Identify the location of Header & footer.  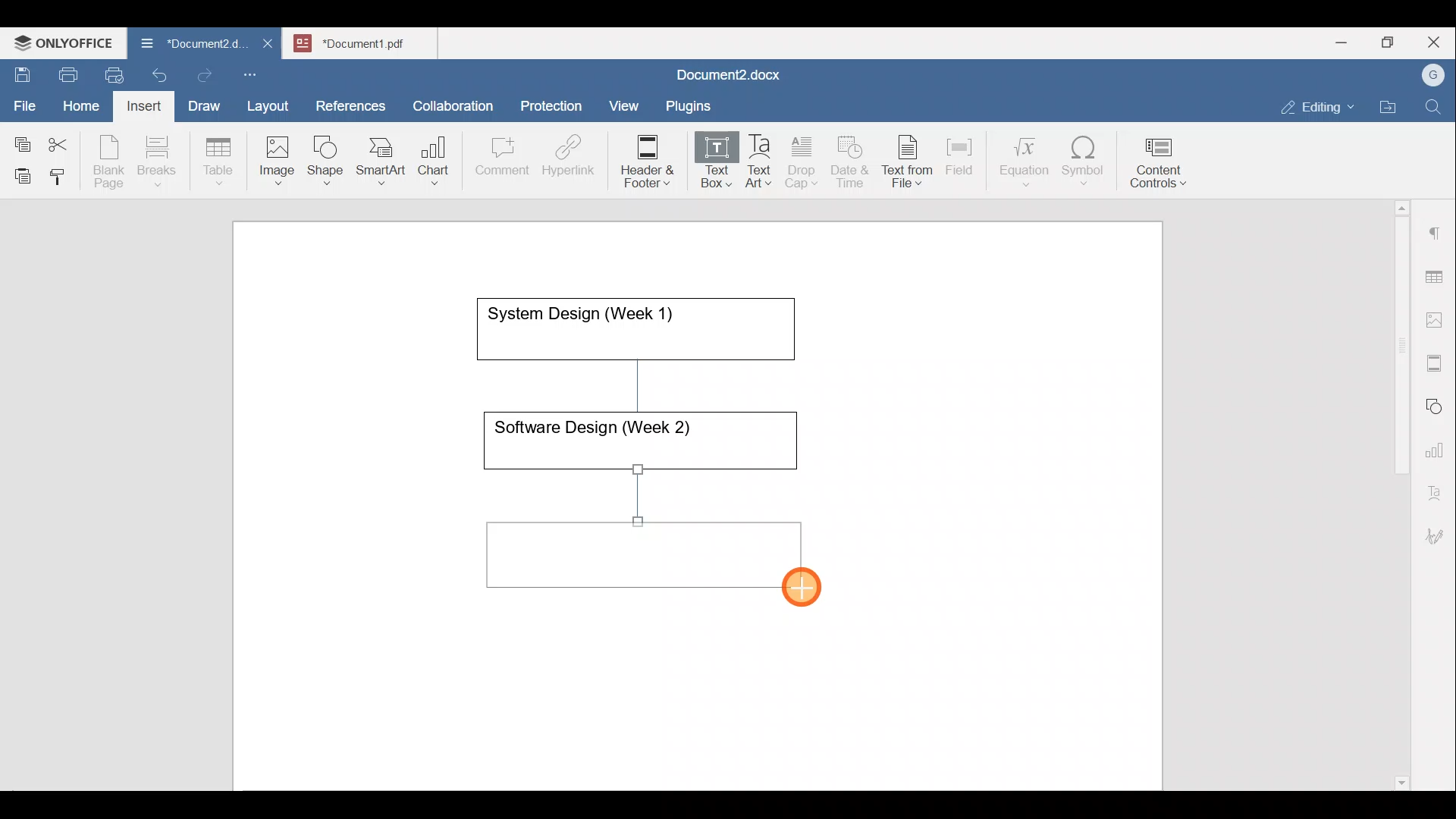
(642, 160).